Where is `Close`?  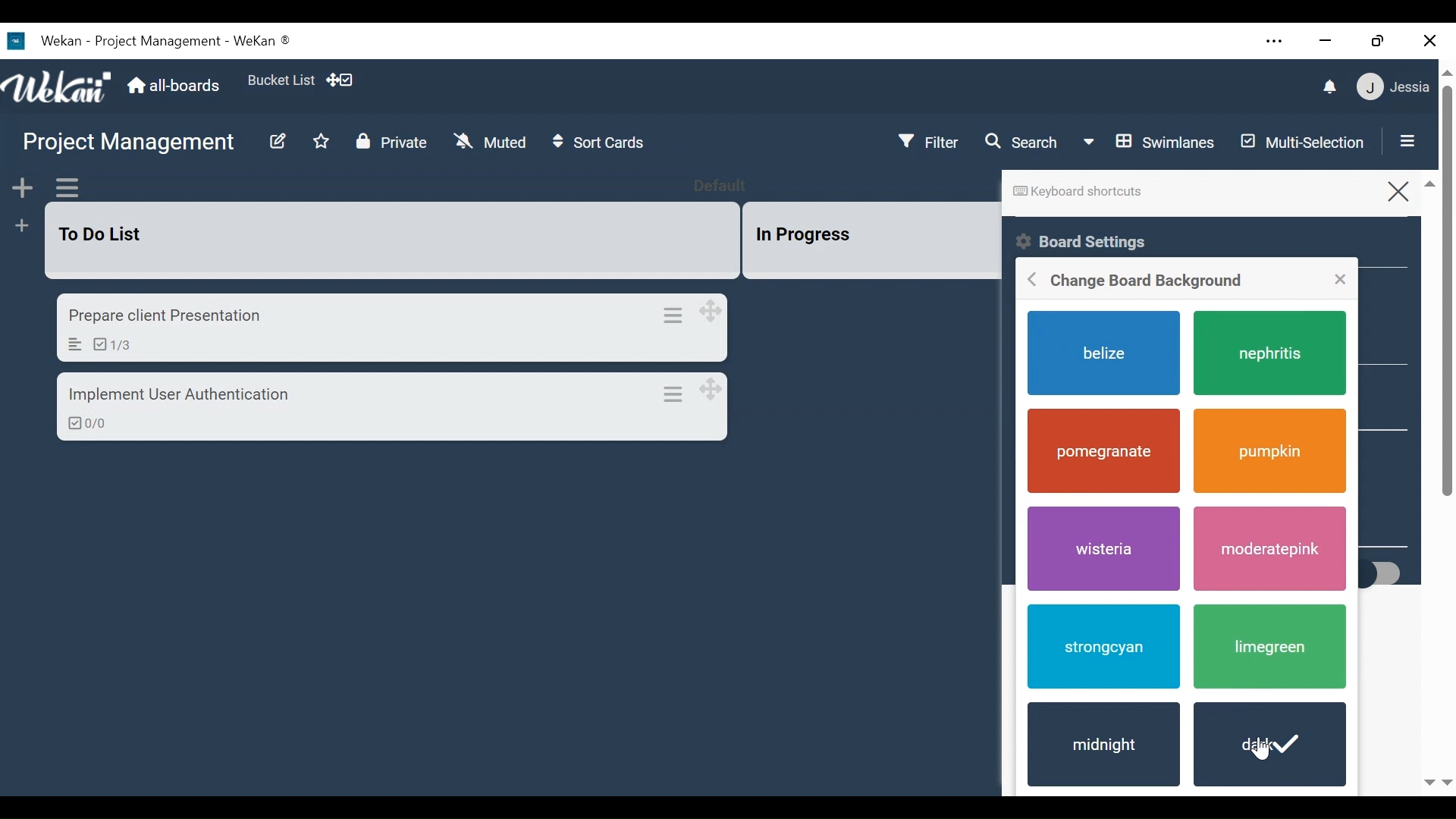 Close is located at coordinates (1411, 188).